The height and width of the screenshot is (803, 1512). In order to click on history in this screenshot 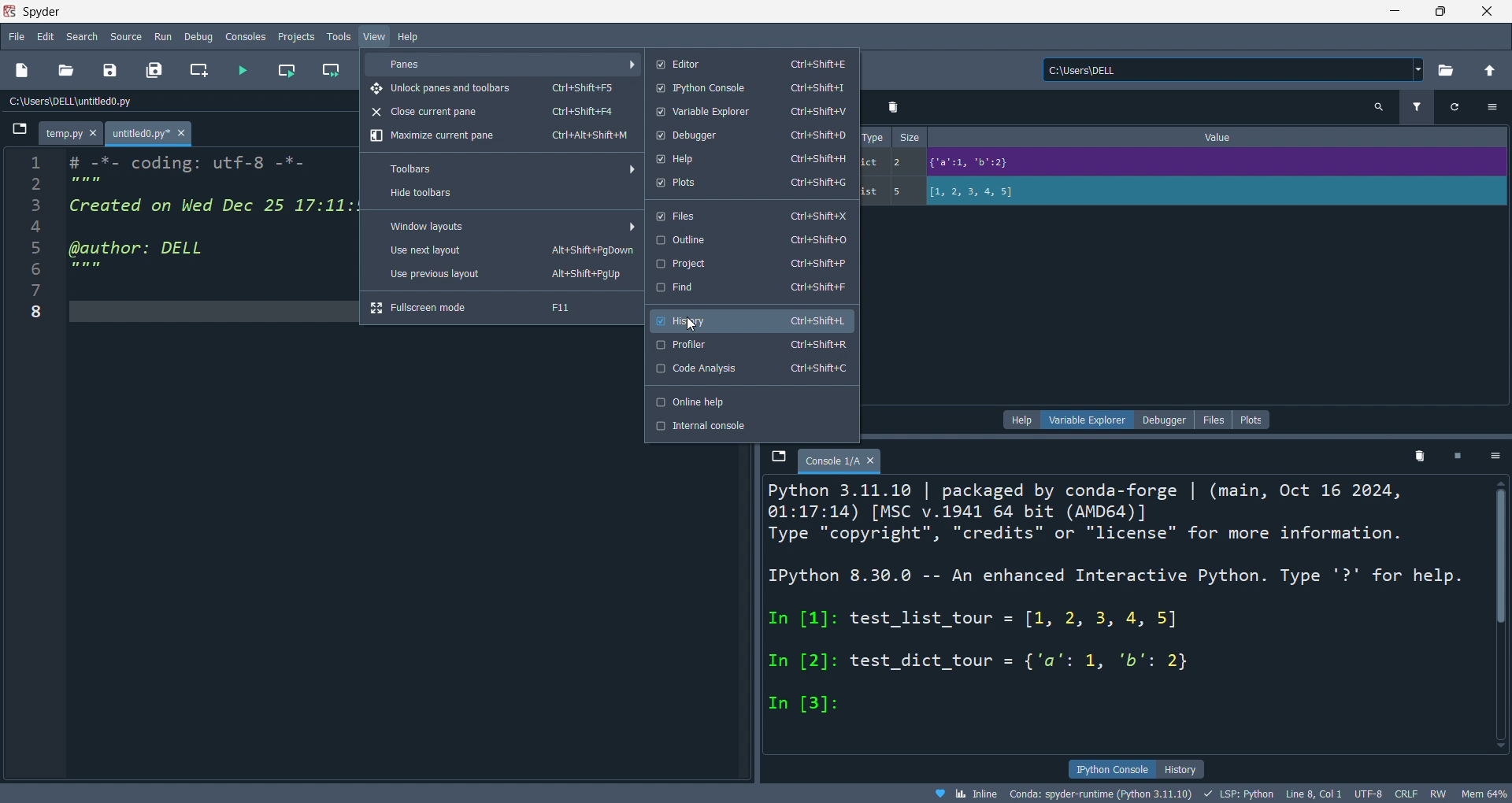, I will do `click(749, 317)`.